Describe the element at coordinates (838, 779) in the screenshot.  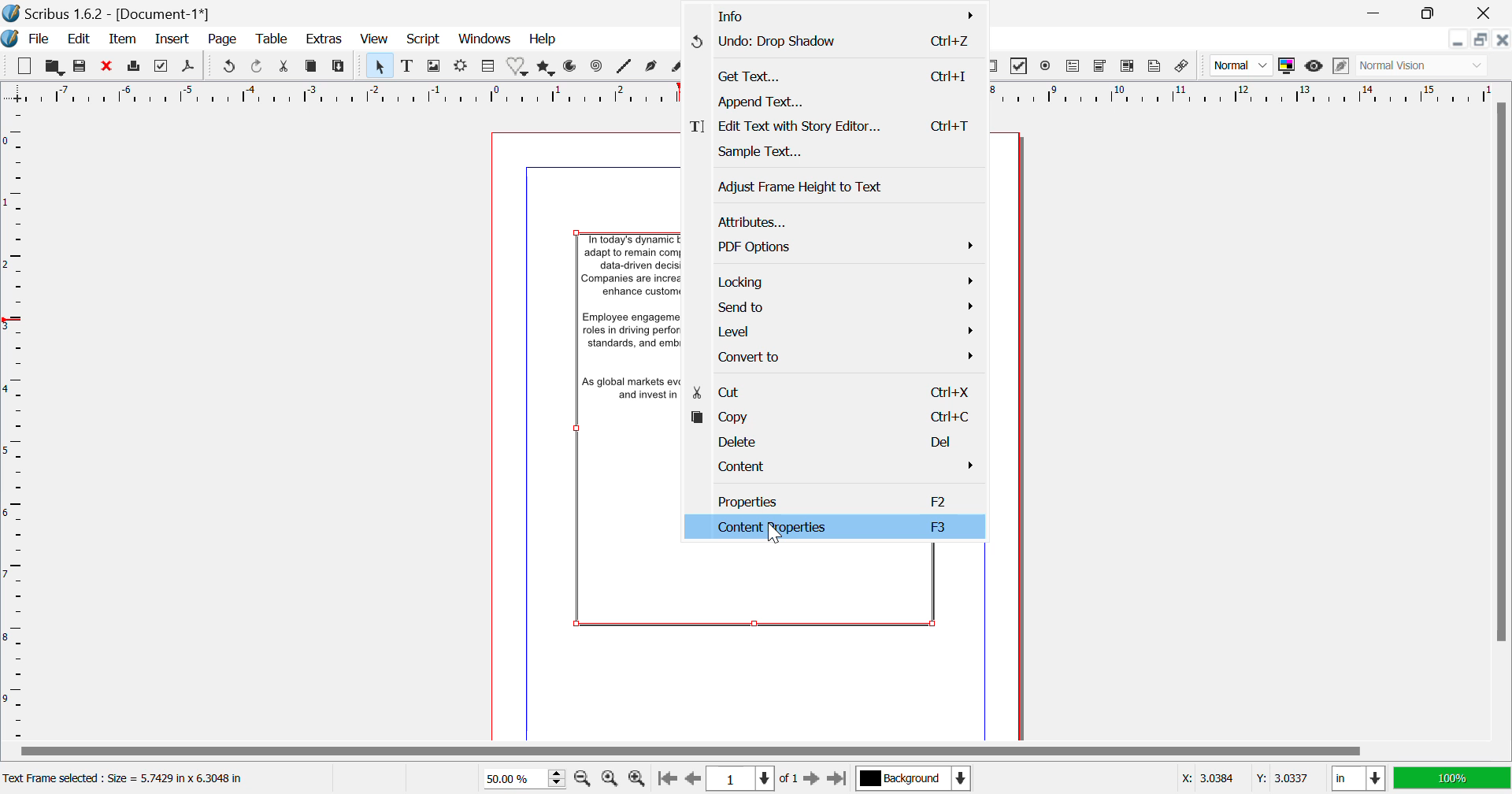
I see `Last Page` at that location.